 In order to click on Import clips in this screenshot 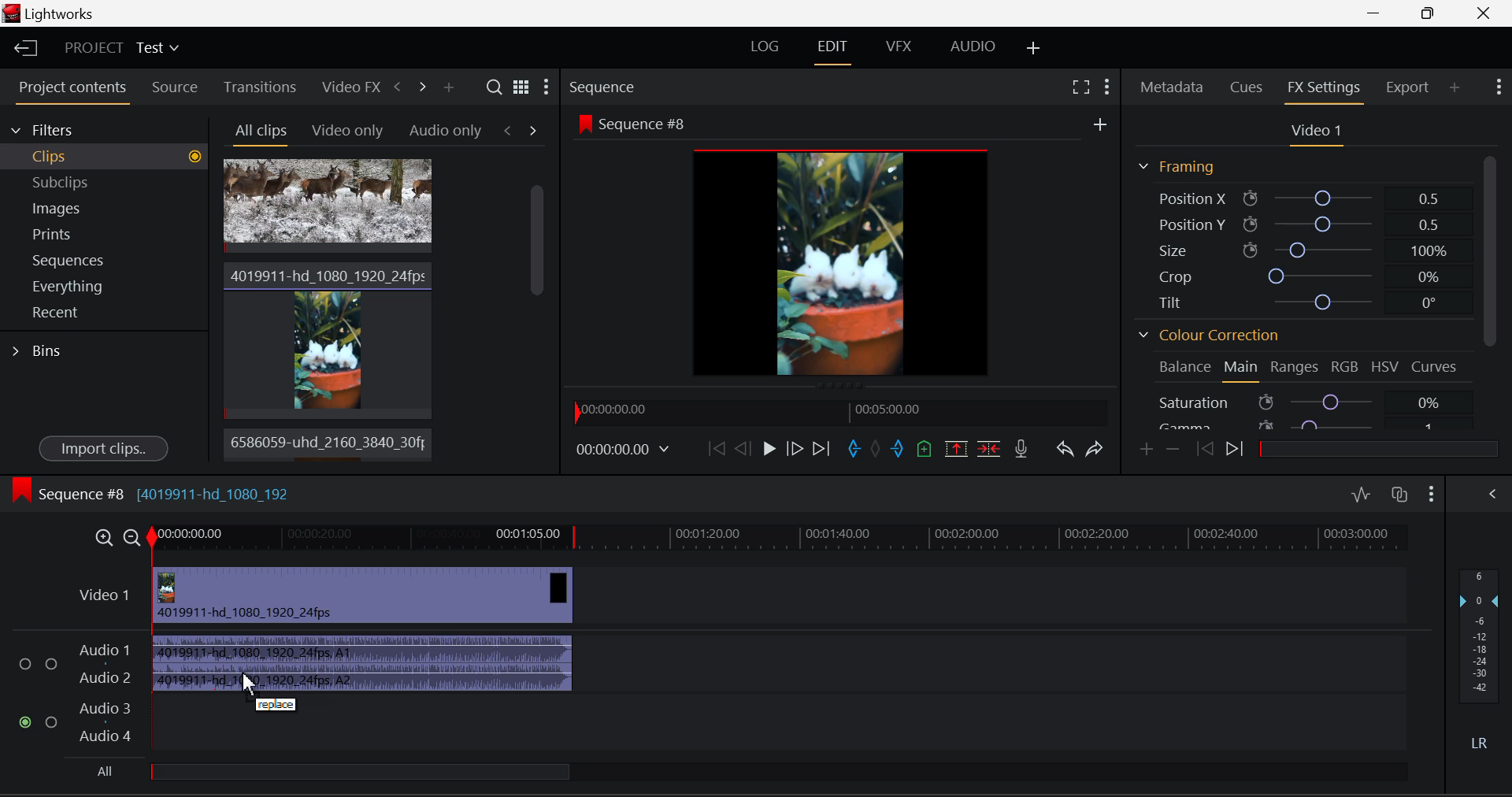, I will do `click(103, 447)`.